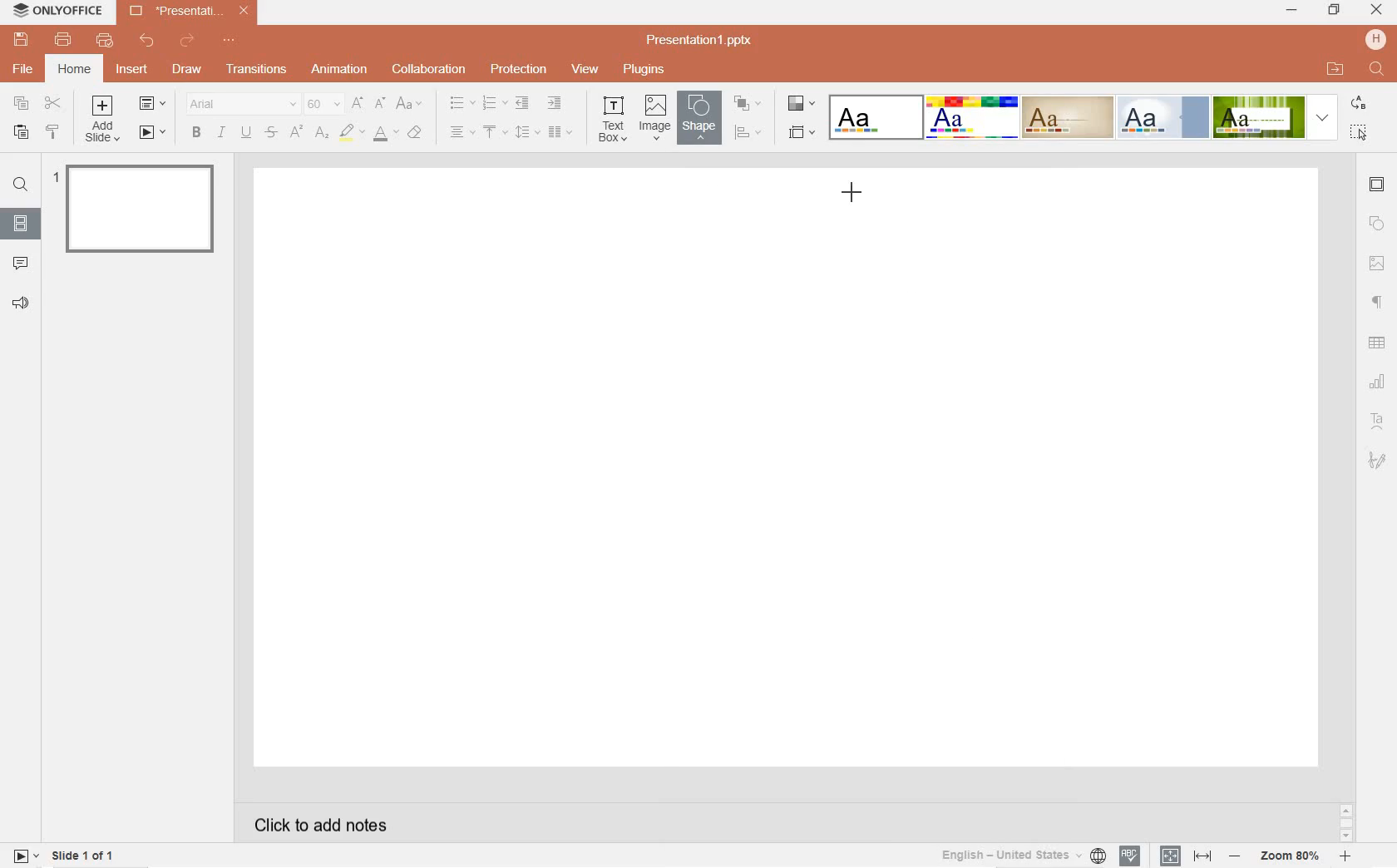 Image resolution: width=1397 pixels, height=868 pixels. I want to click on MINIMIZE, so click(1292, 12).